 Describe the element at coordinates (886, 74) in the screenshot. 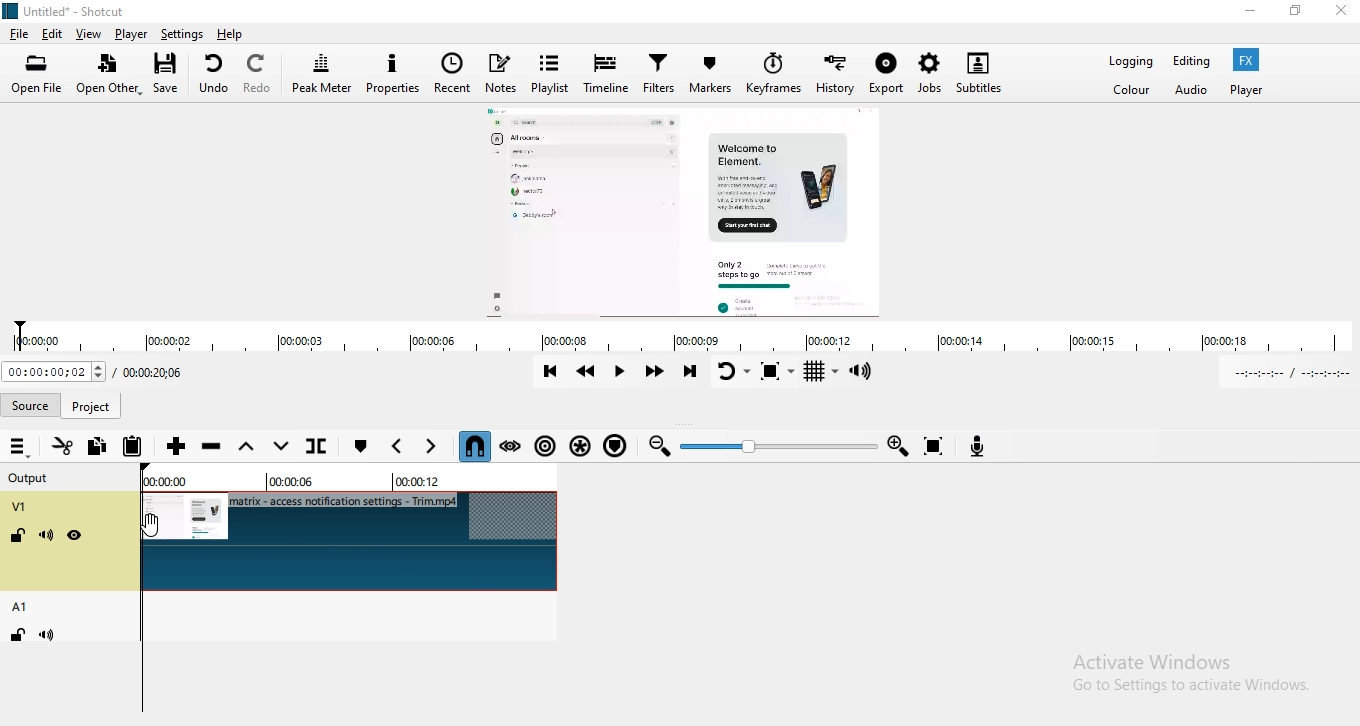

I see `Export` at that location.